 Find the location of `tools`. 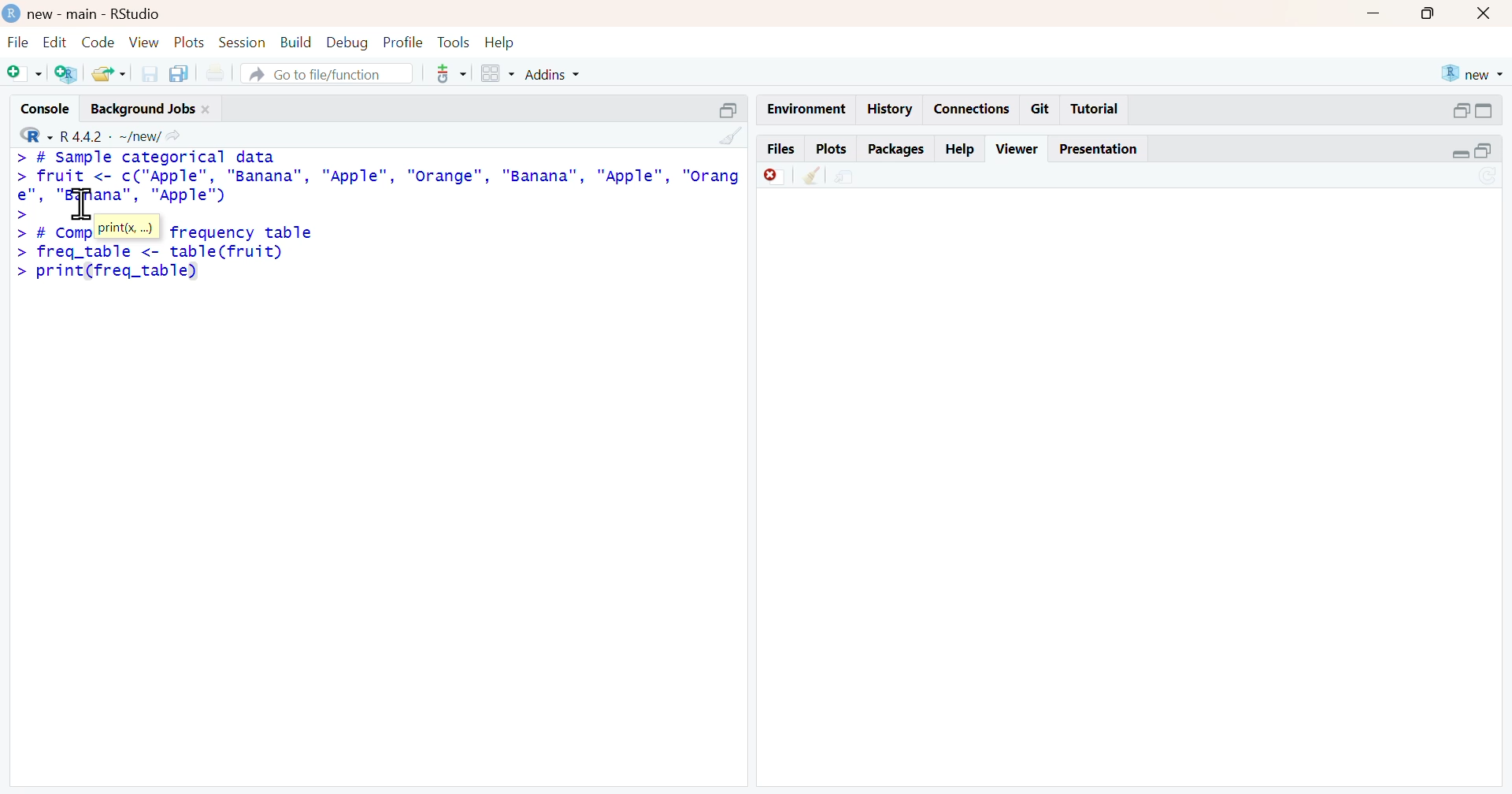

tools is located at coordinates (453, 41).